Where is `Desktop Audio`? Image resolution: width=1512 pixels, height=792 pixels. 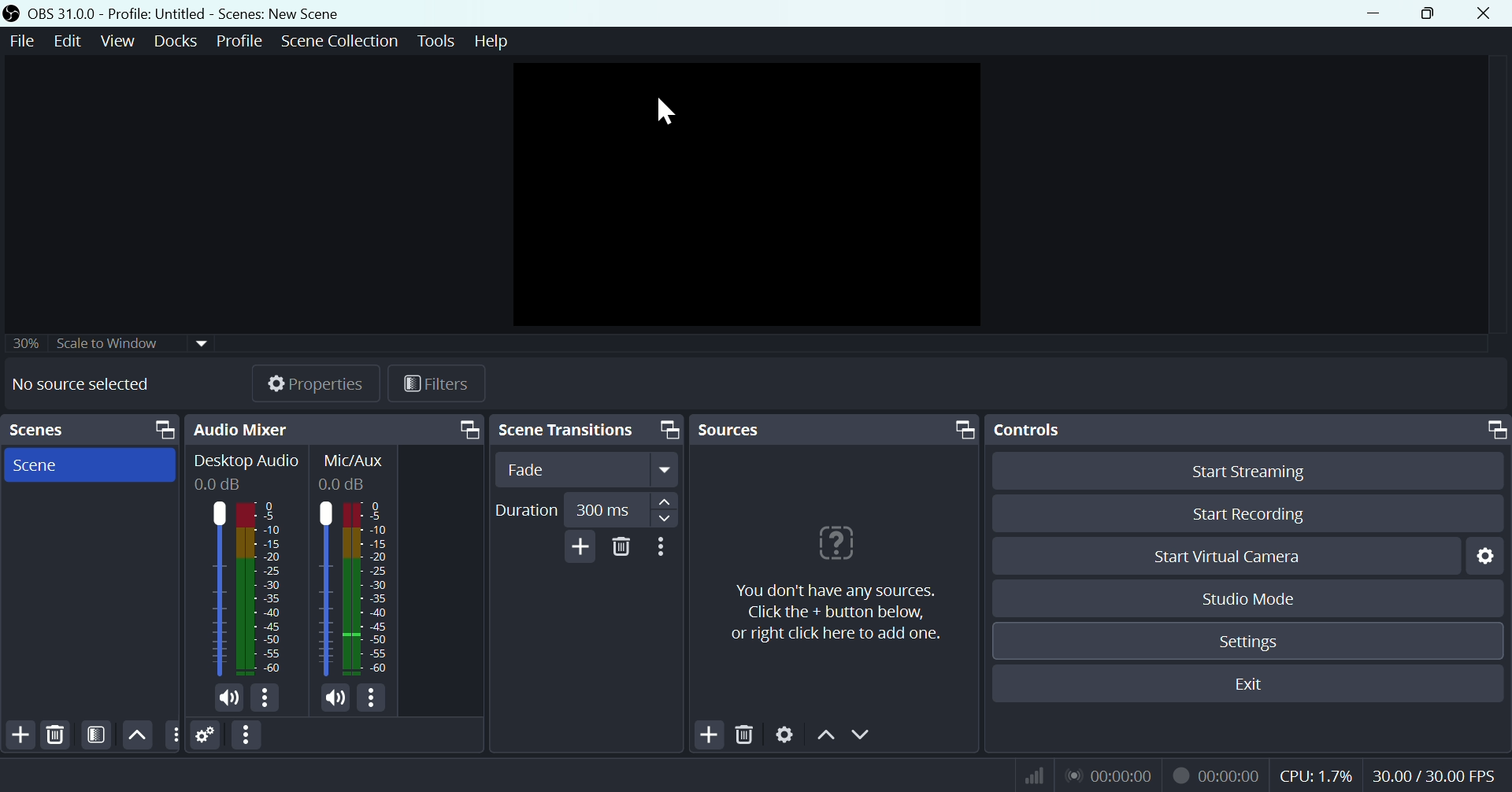 Desktop Audio is located at coordinates (244, 470).